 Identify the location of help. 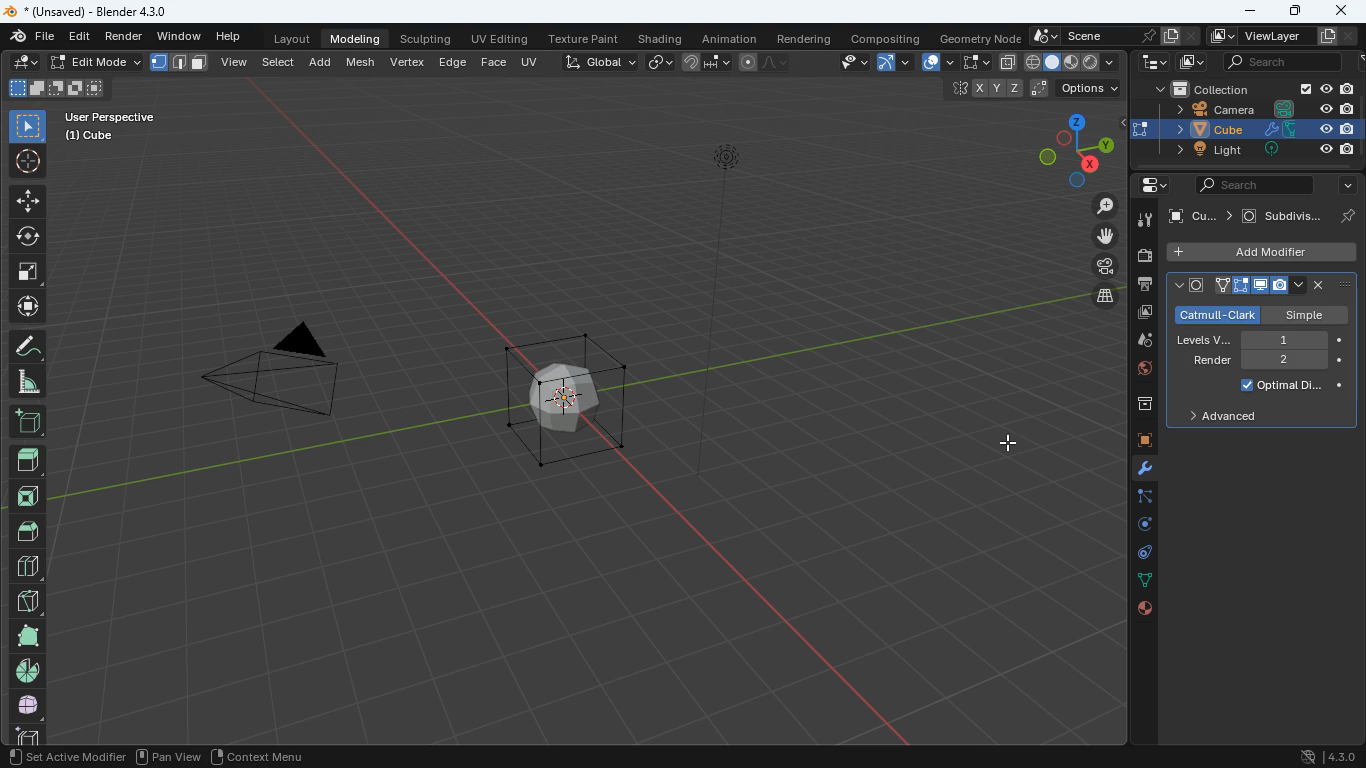
(227, 37).